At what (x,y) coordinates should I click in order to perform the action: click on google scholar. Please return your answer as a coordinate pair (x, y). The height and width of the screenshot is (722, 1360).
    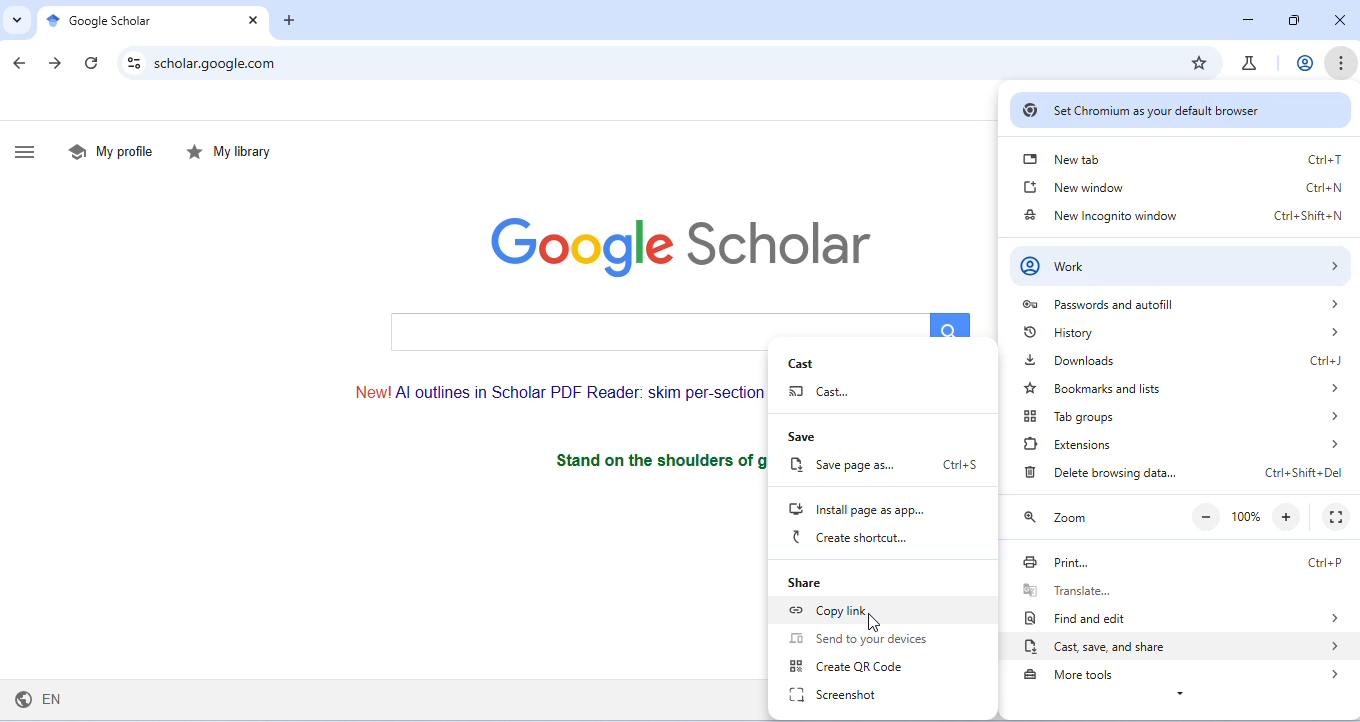
    Looking at the image, I should click on (99, 21).